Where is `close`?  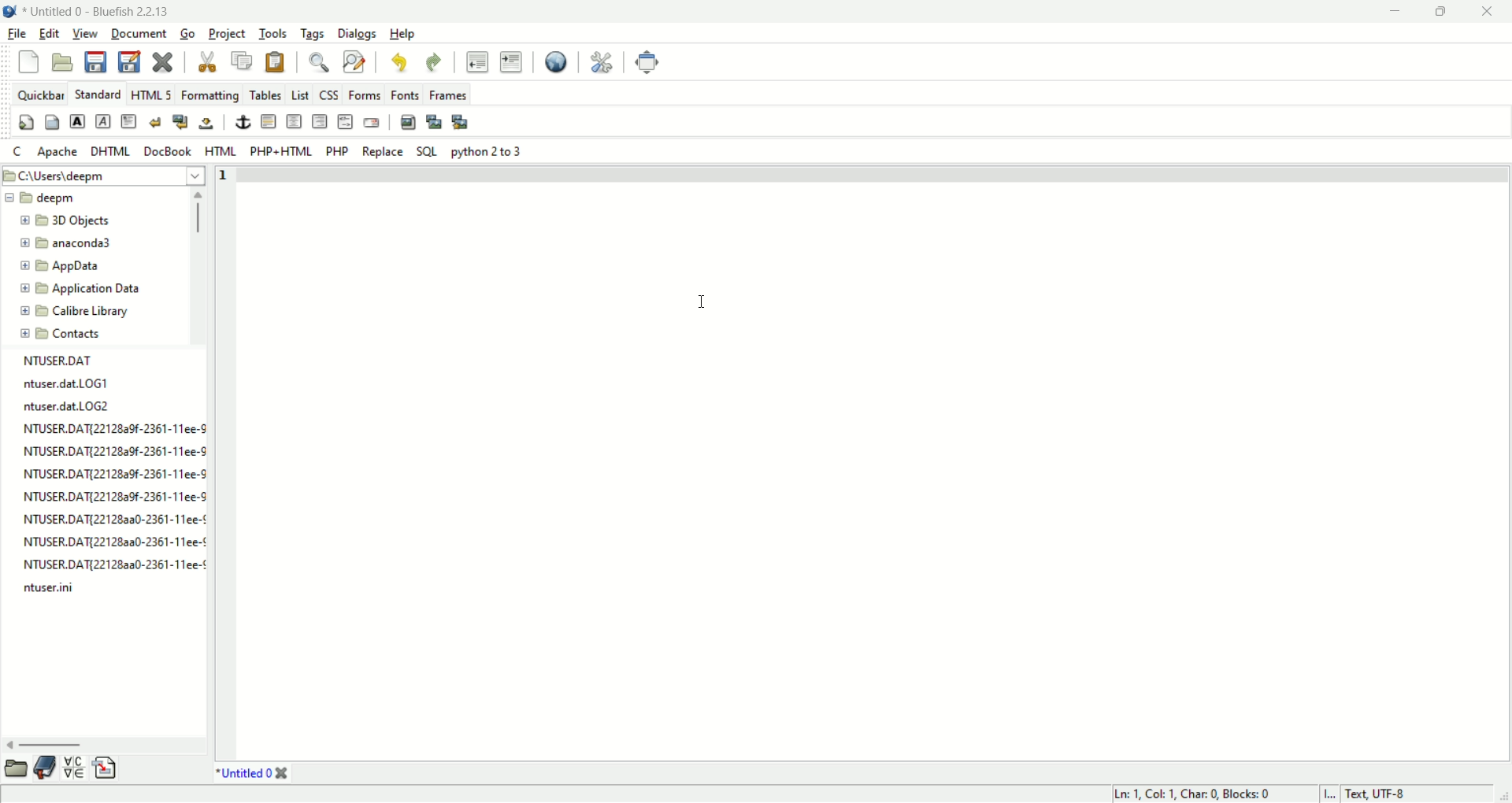
close is located at coordinates (1486, 13).